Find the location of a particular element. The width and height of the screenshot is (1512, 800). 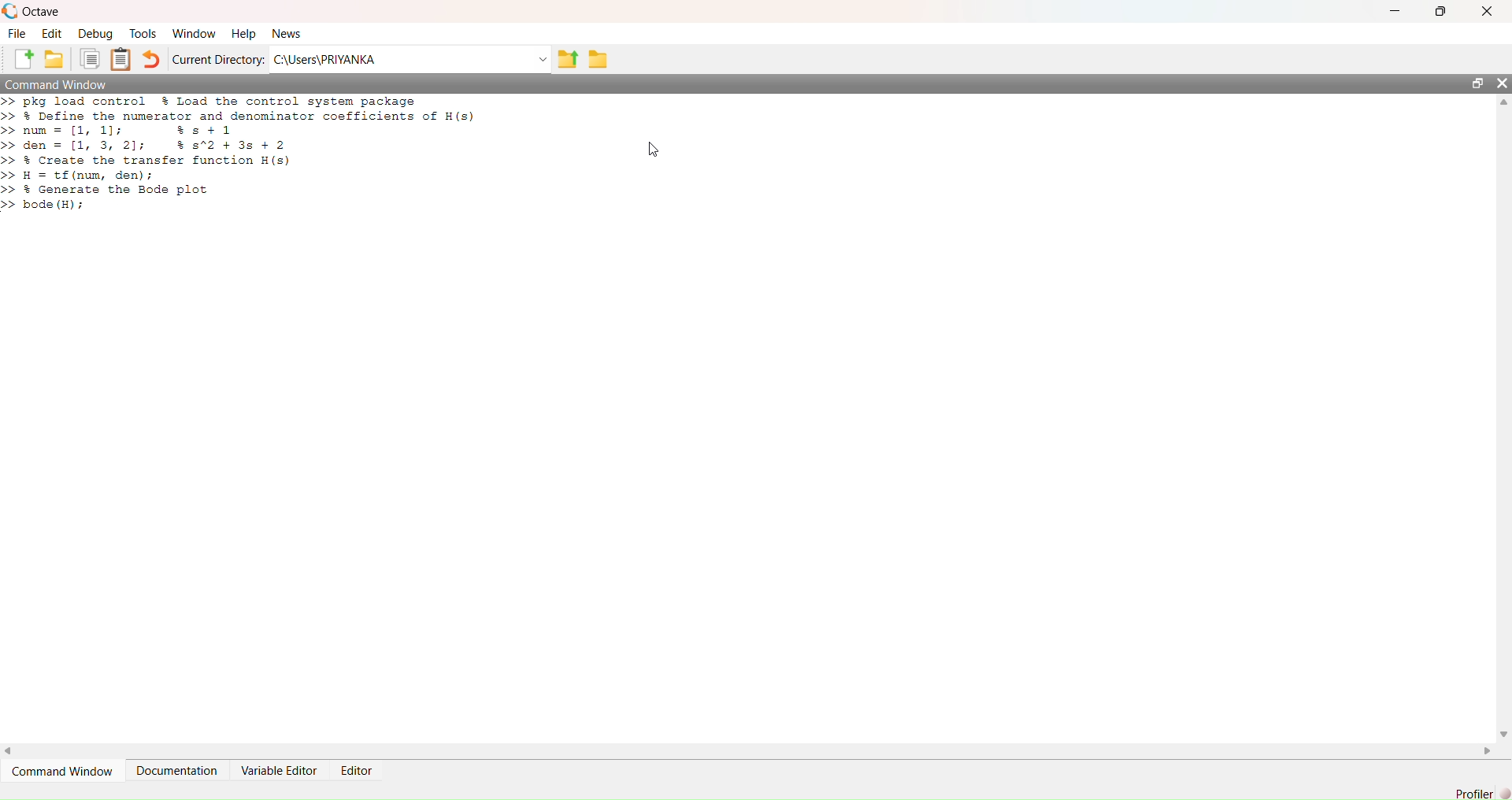

Debug is located at coordinates (95, 33).